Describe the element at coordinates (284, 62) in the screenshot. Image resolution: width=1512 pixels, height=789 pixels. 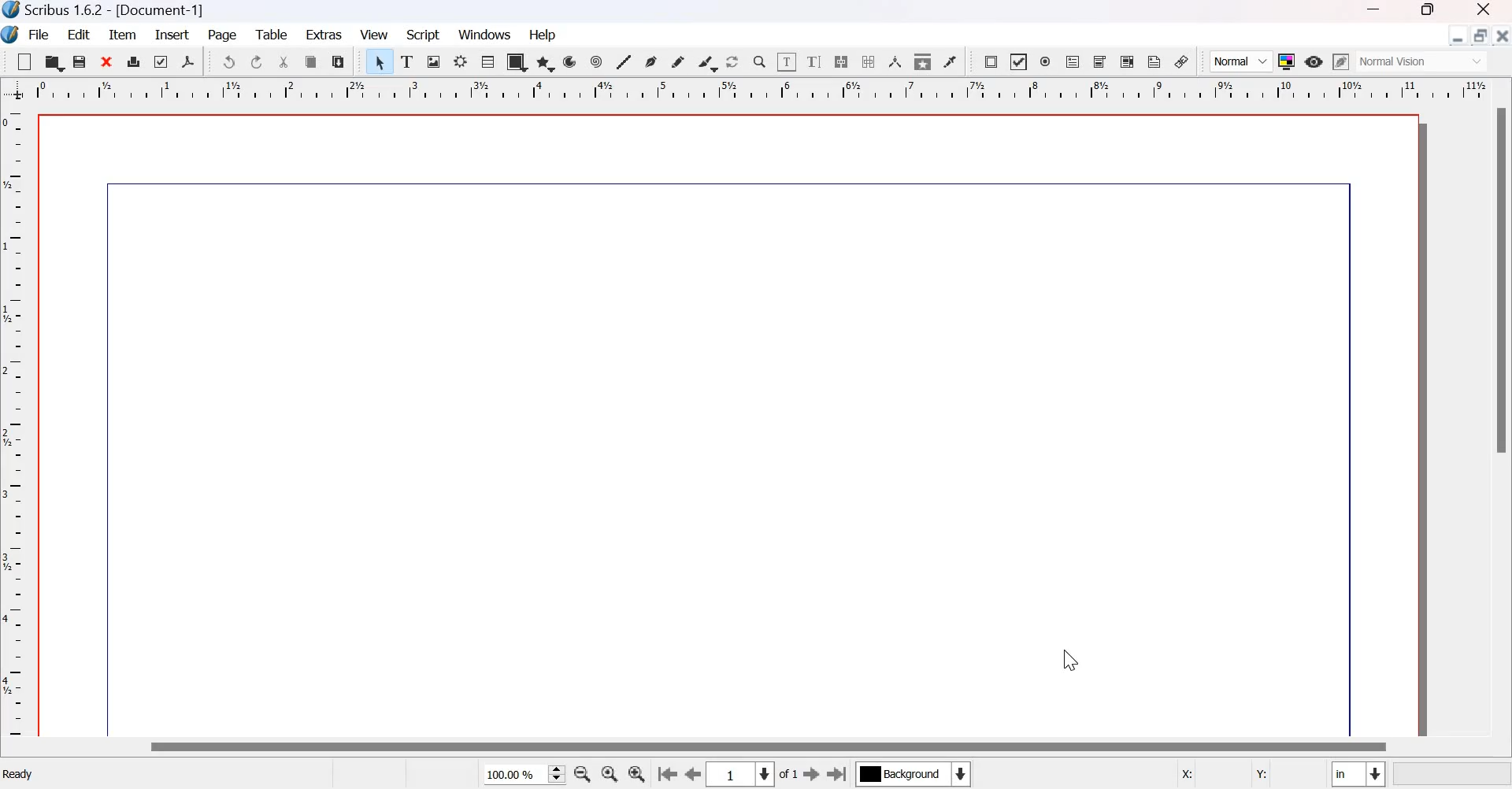
I see `cut` at that location.